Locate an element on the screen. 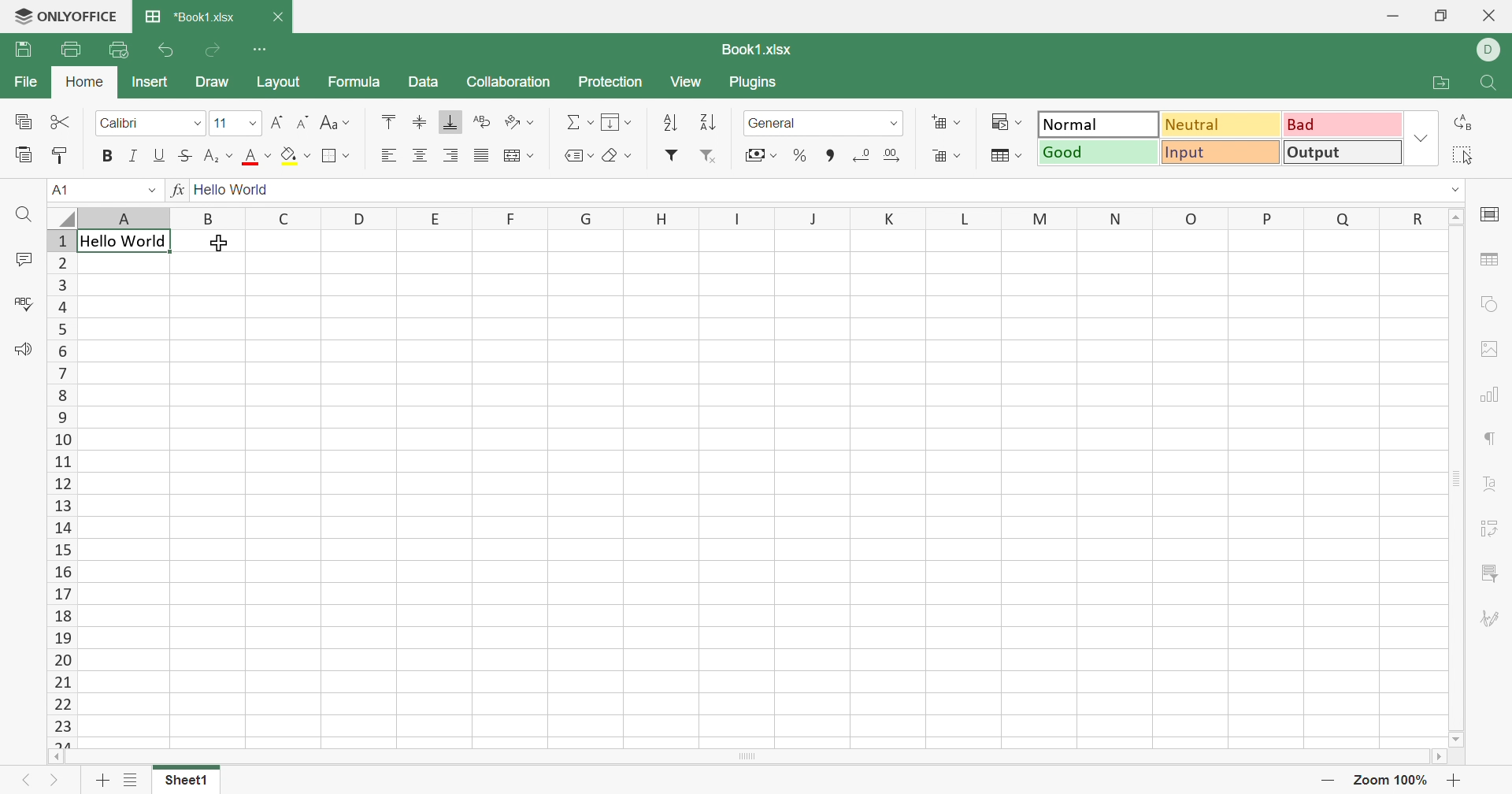 The width and height of the screenshot is (1512, 794). File is located at coordinates (29, 80).